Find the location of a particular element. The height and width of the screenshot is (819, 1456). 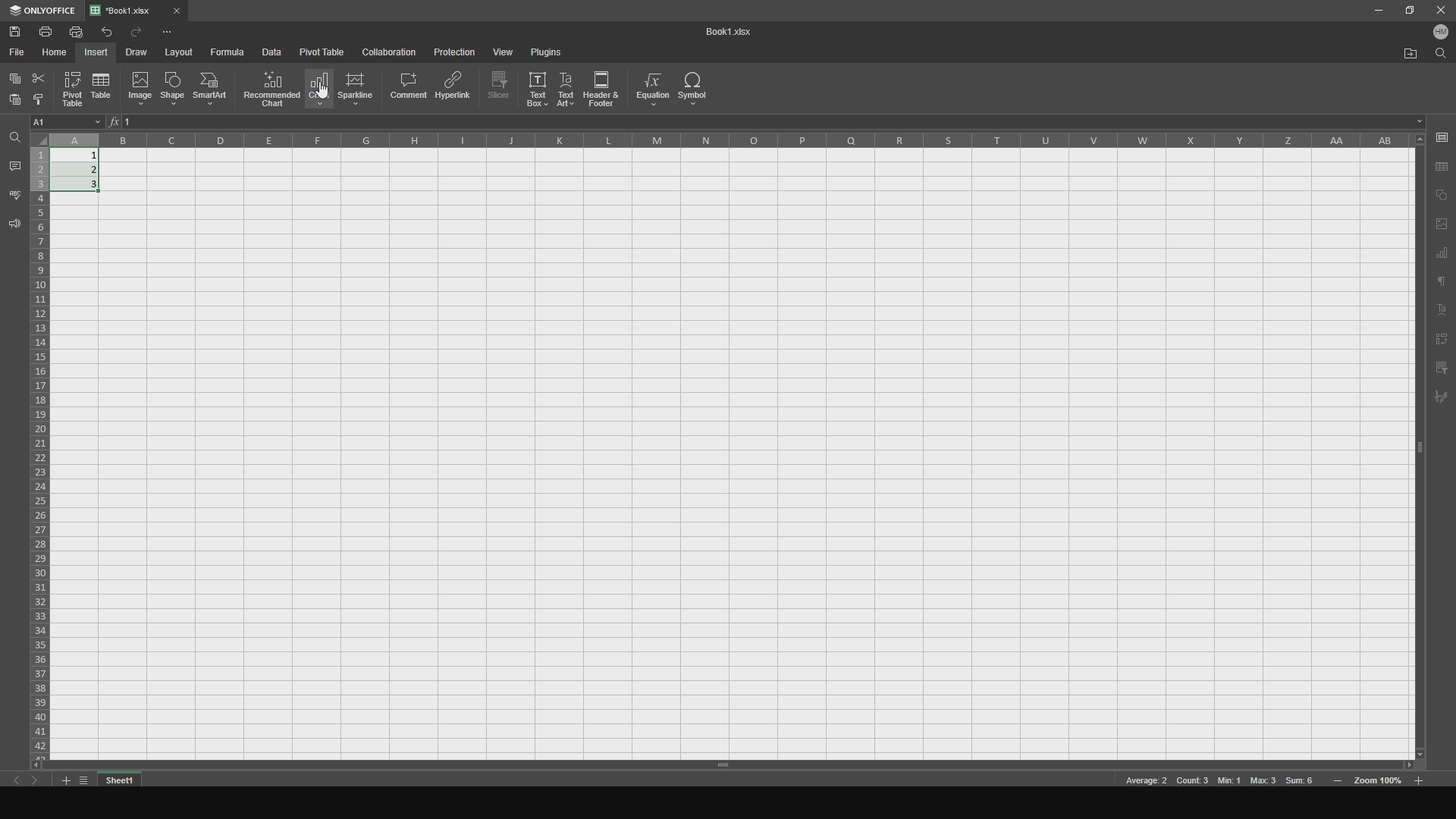

file tab is located at coordinates (154, 9).